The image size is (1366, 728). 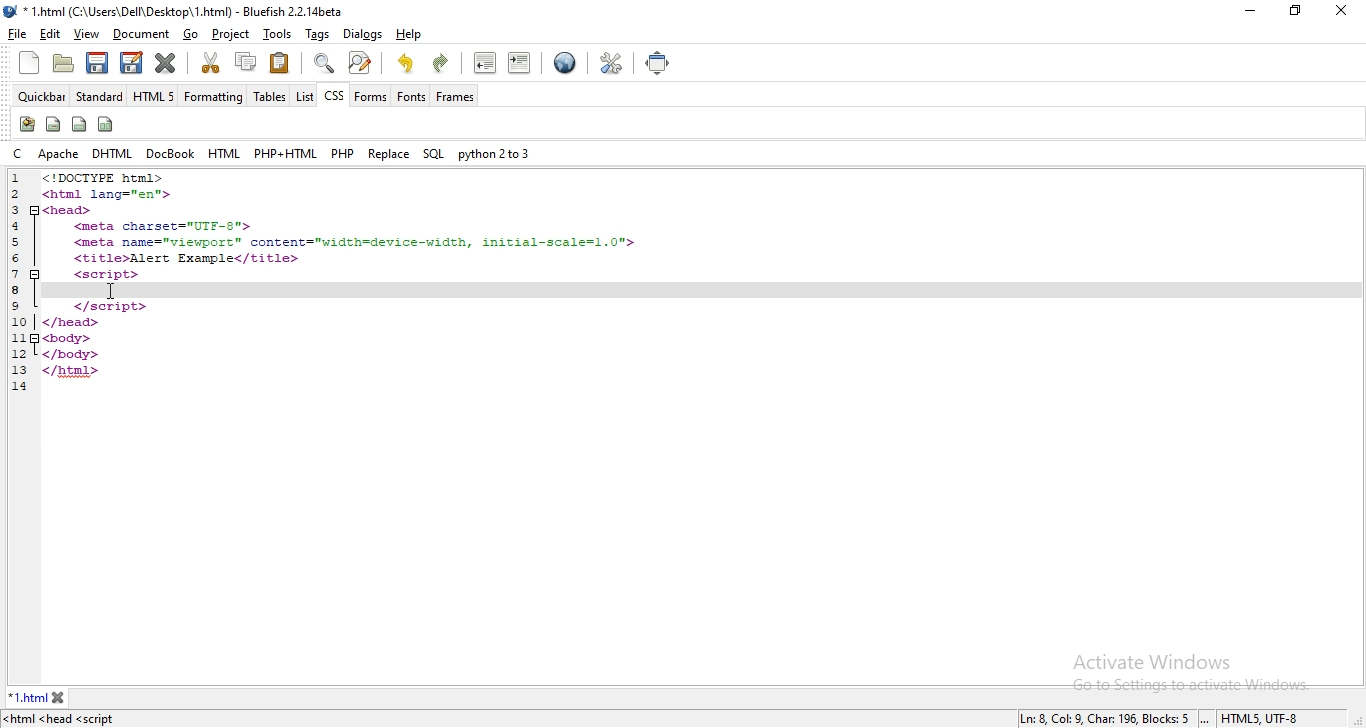 I want to click on close, so click(x=59, y=698).